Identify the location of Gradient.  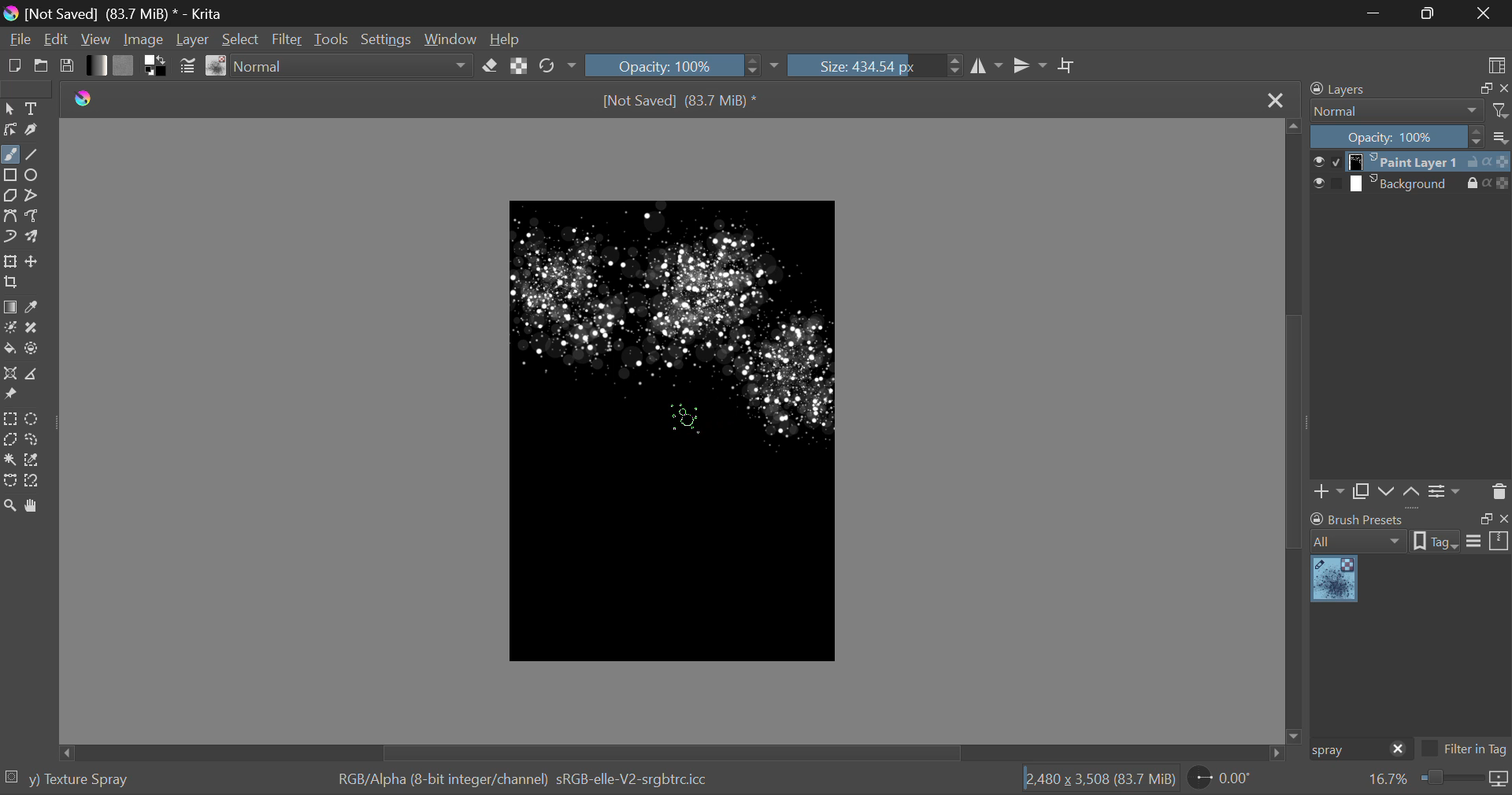
(98, 65).